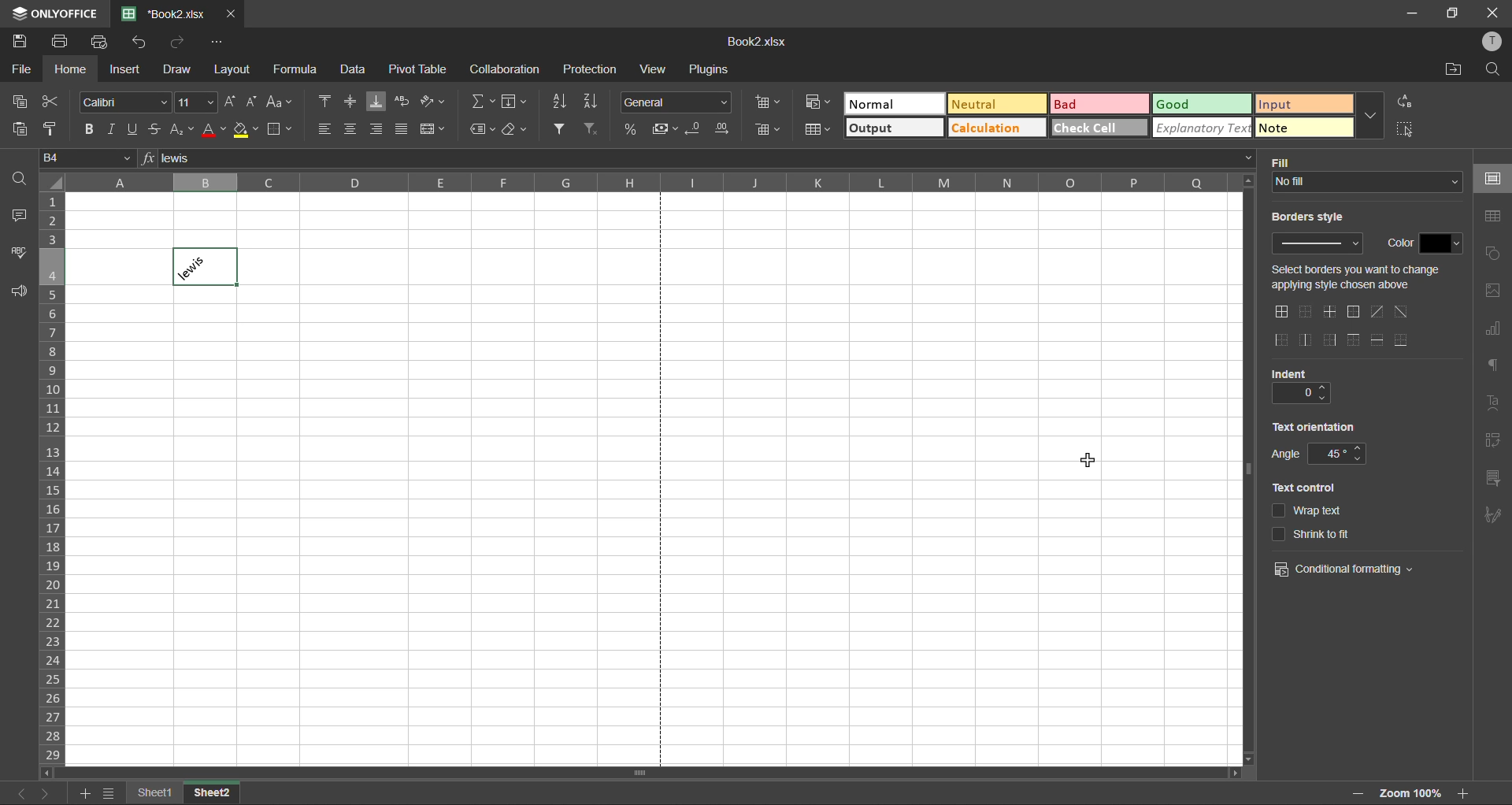 The height and width of the screenshot is (805, 1512). Describe the element at coordinates (375, 102) in the screenshot. I see `align bottom` at that location.